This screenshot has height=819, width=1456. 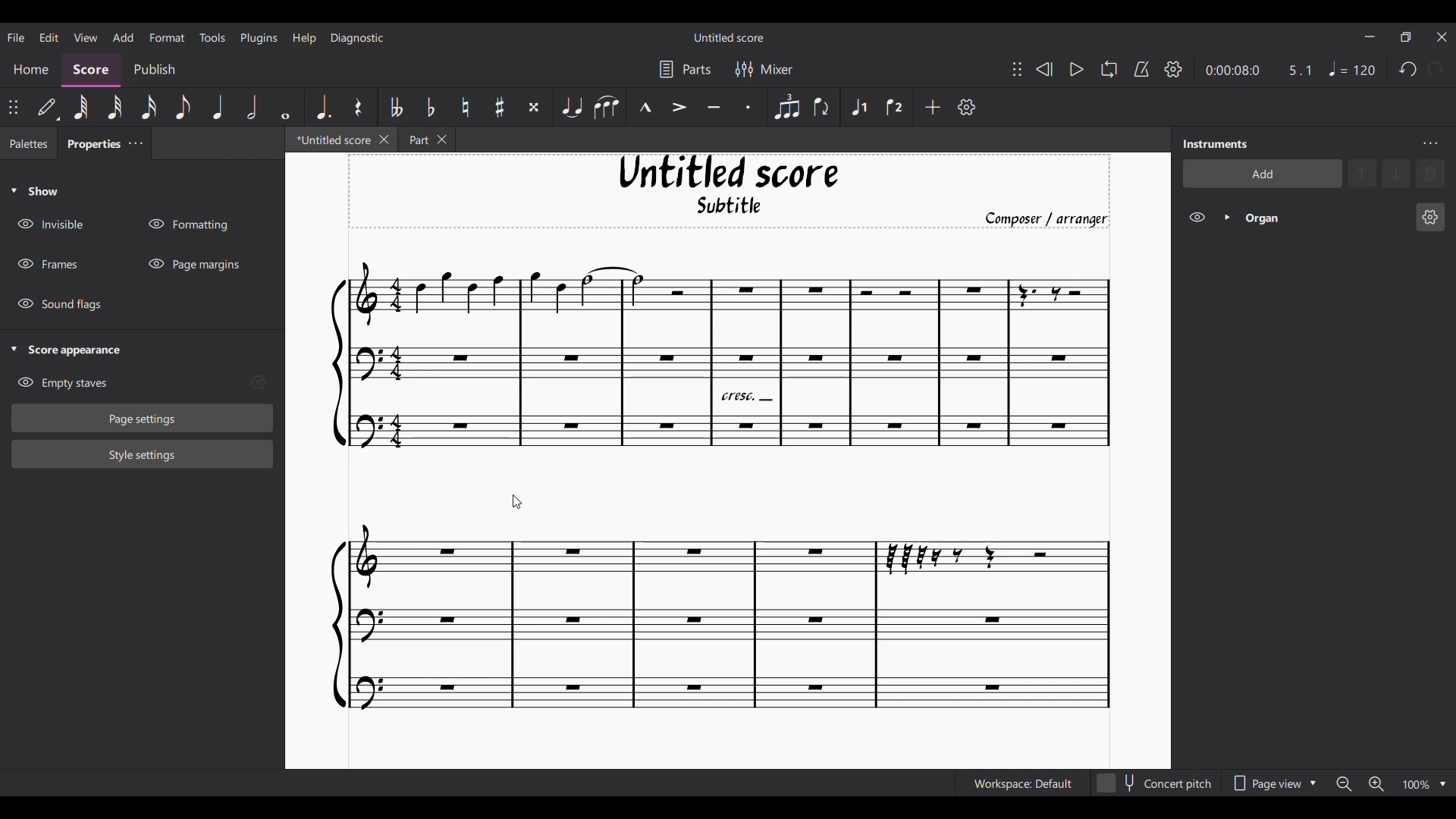 What do you see at coordinates (384, 139) in the screenshot?
I see `Close current tab` at bounding box center [384, 139].